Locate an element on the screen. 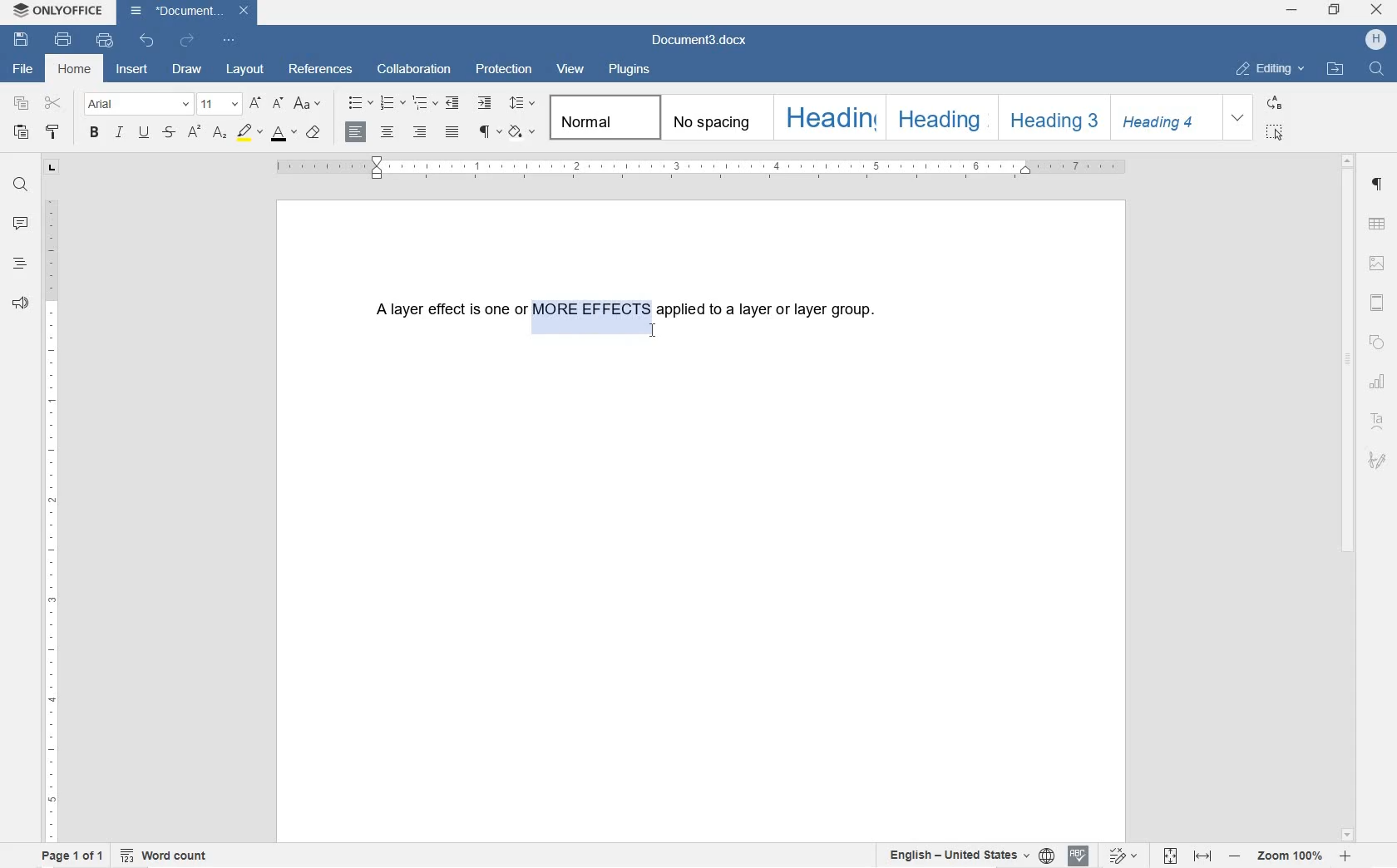 Image resolution: width=1397 pixels, height=868 pixels. CHART is located at coordinates (1380, 382).